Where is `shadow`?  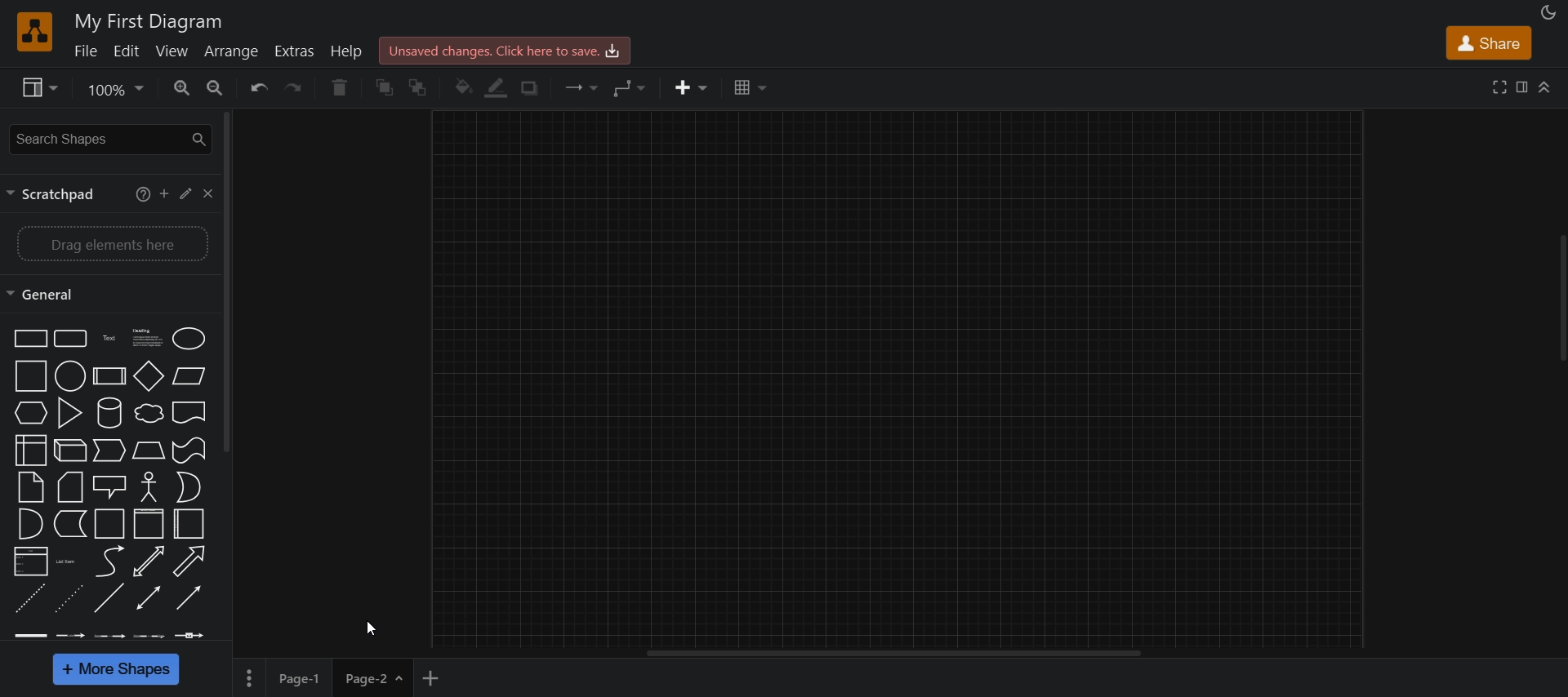
shadow is located at coordinates (537, 89).